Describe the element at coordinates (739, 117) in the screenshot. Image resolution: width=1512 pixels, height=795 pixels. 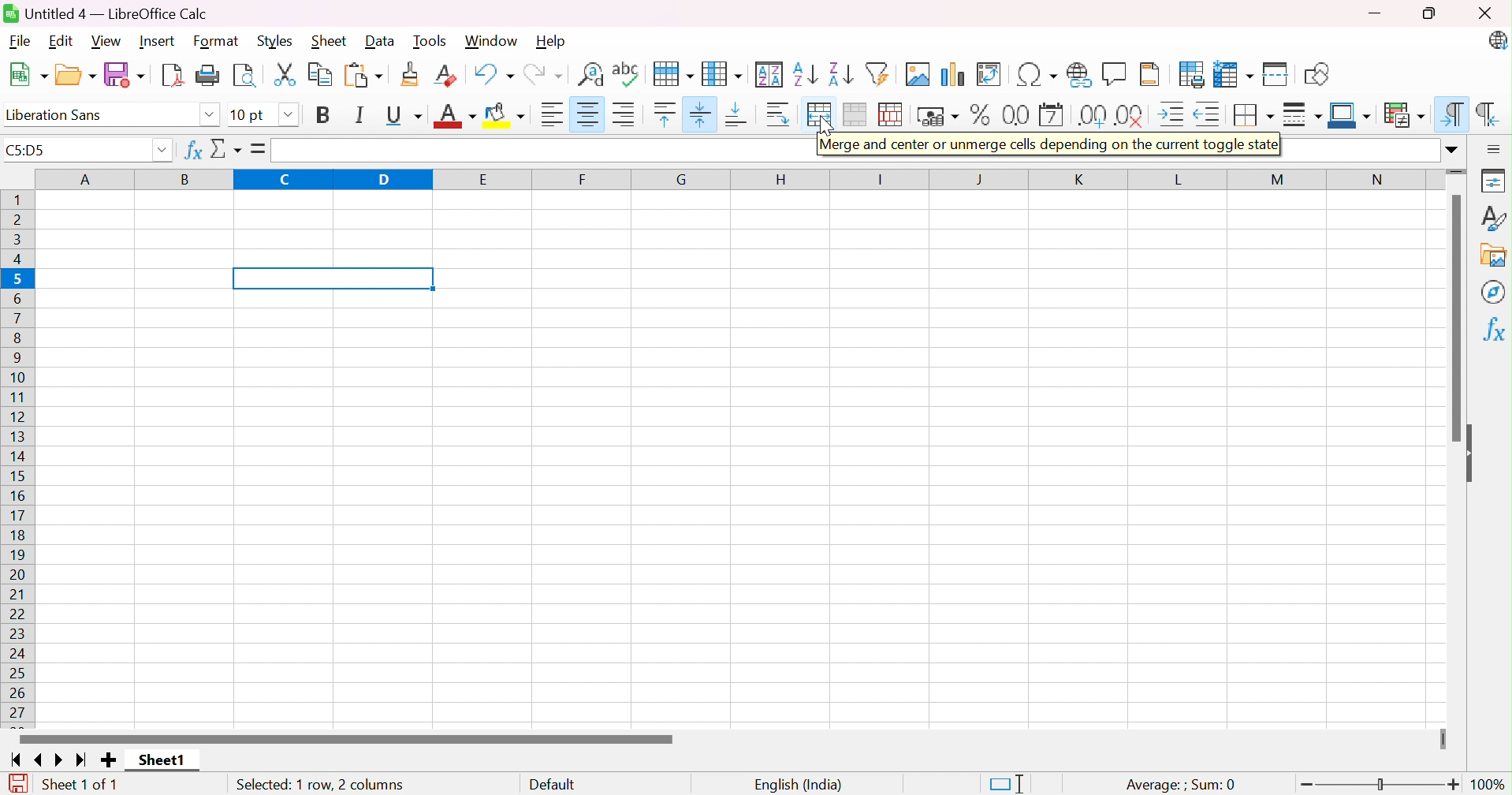
I see `Align Bottom` at that location.